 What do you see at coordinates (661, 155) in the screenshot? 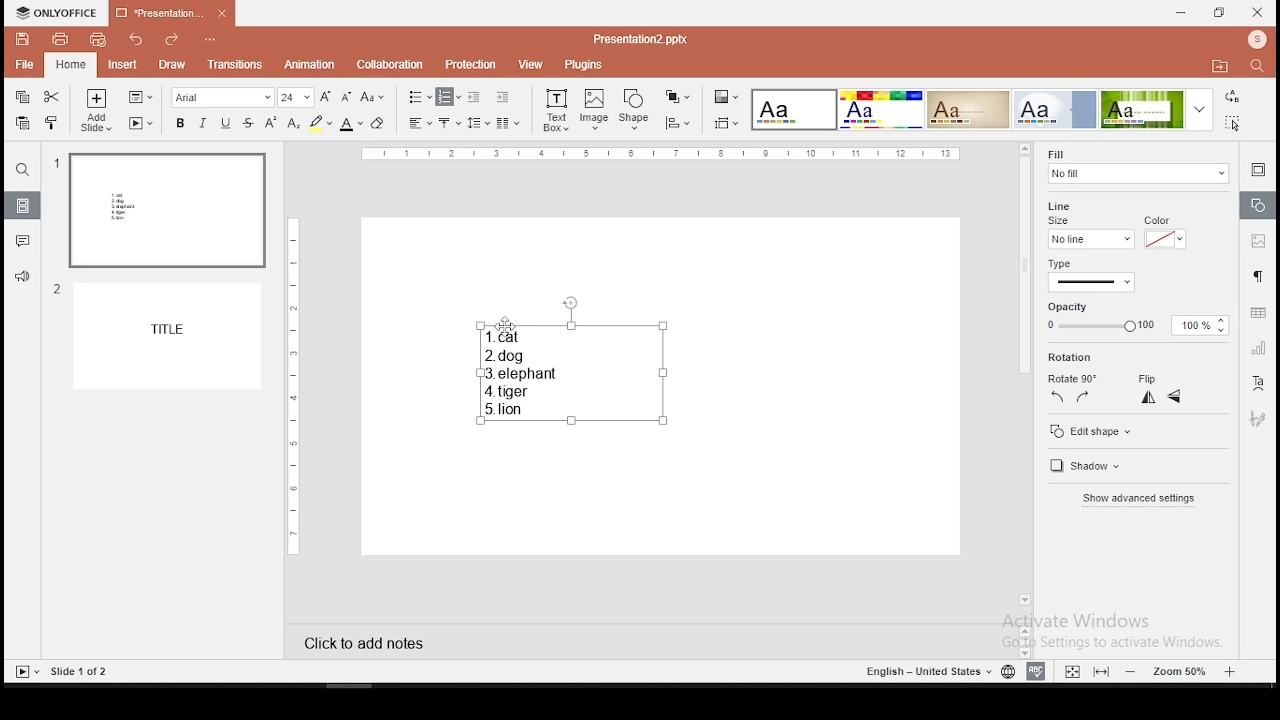
I see `scale` at bounding box center [661, 155].